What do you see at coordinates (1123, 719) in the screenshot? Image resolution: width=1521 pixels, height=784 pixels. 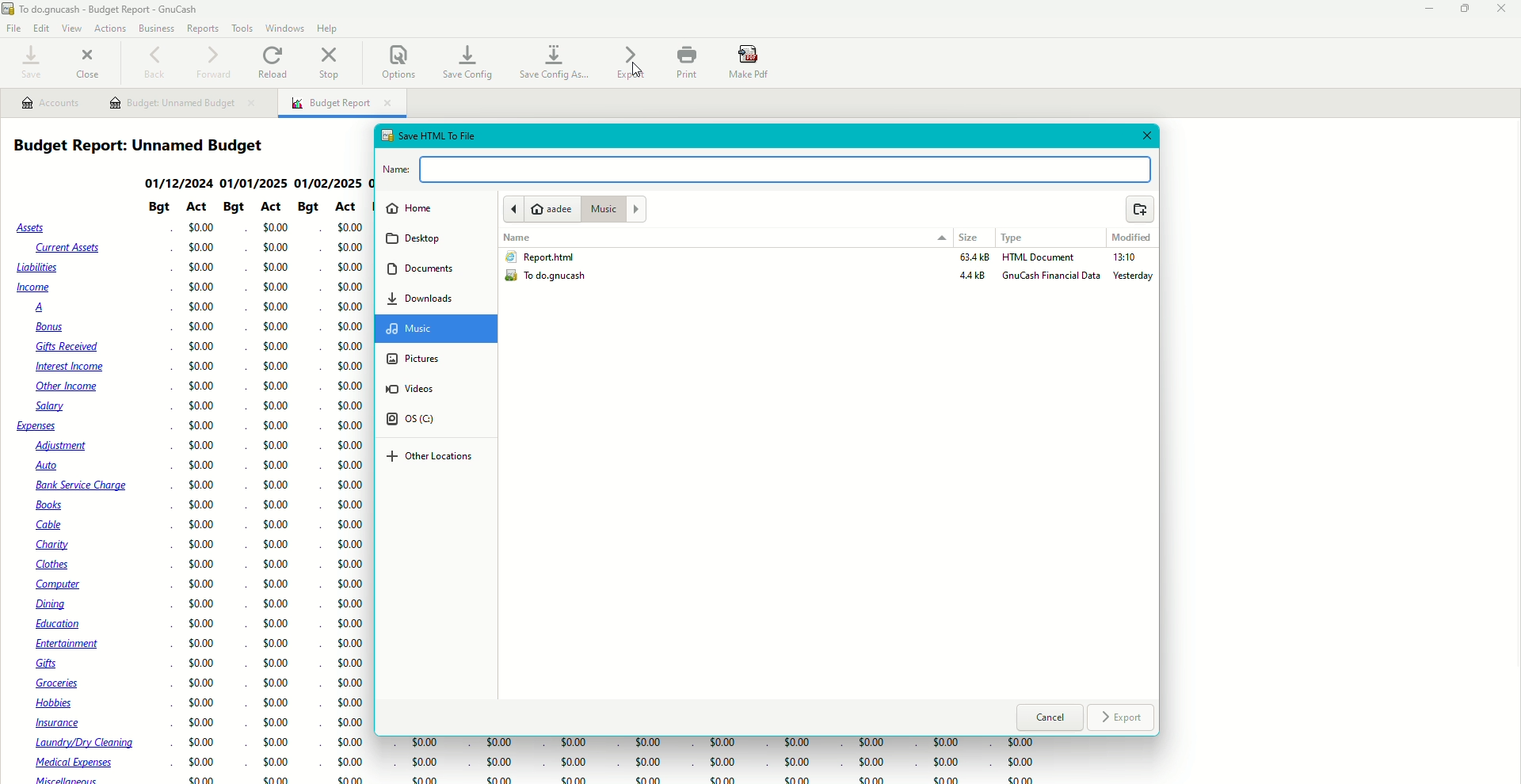 I see `Export` at bounding box center [1123, 719].